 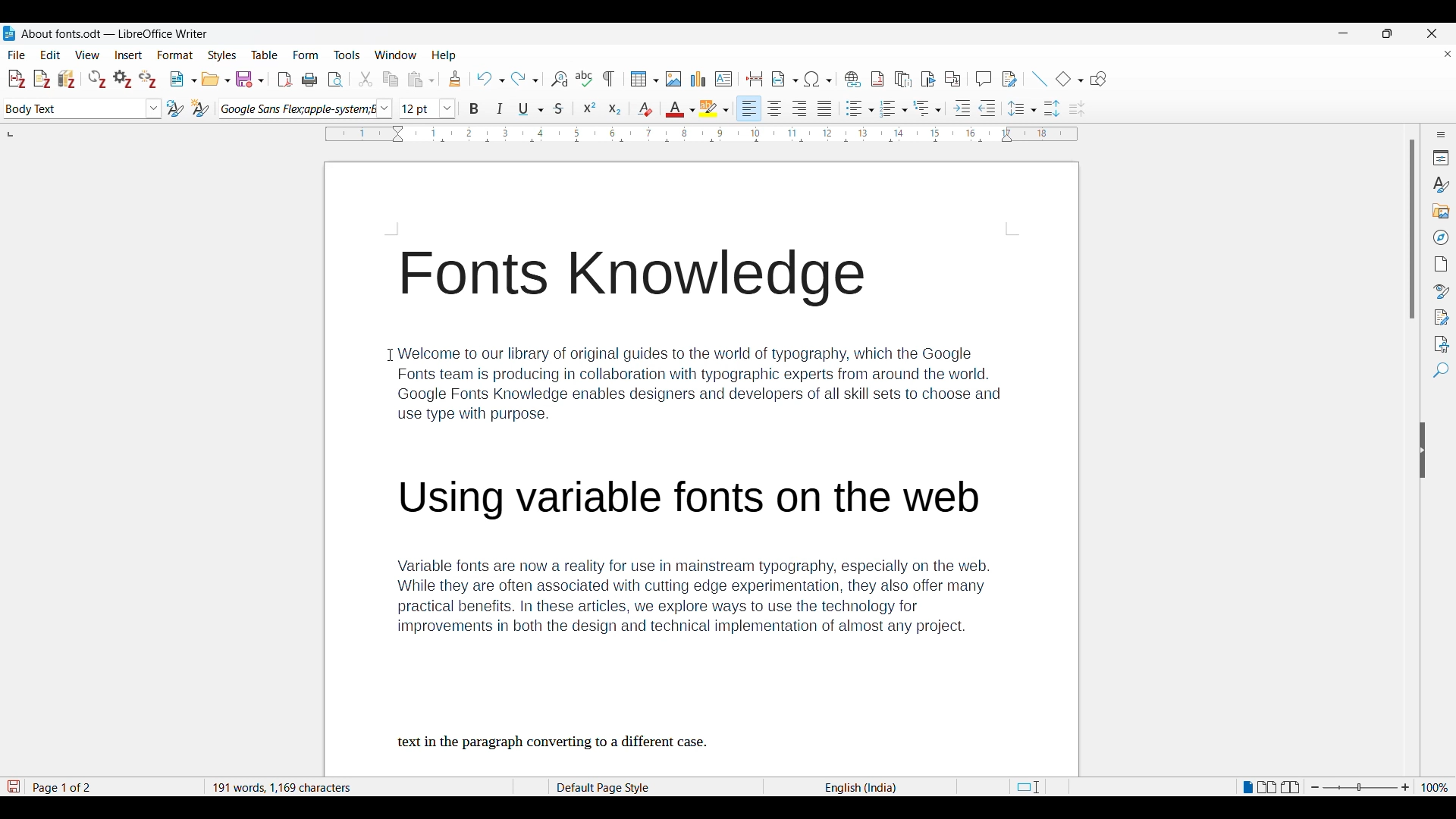 What do you see at coordinates (1442, 134) in the screenshot?
I see `Sidebar settings` at bounding box center [1442, 134].